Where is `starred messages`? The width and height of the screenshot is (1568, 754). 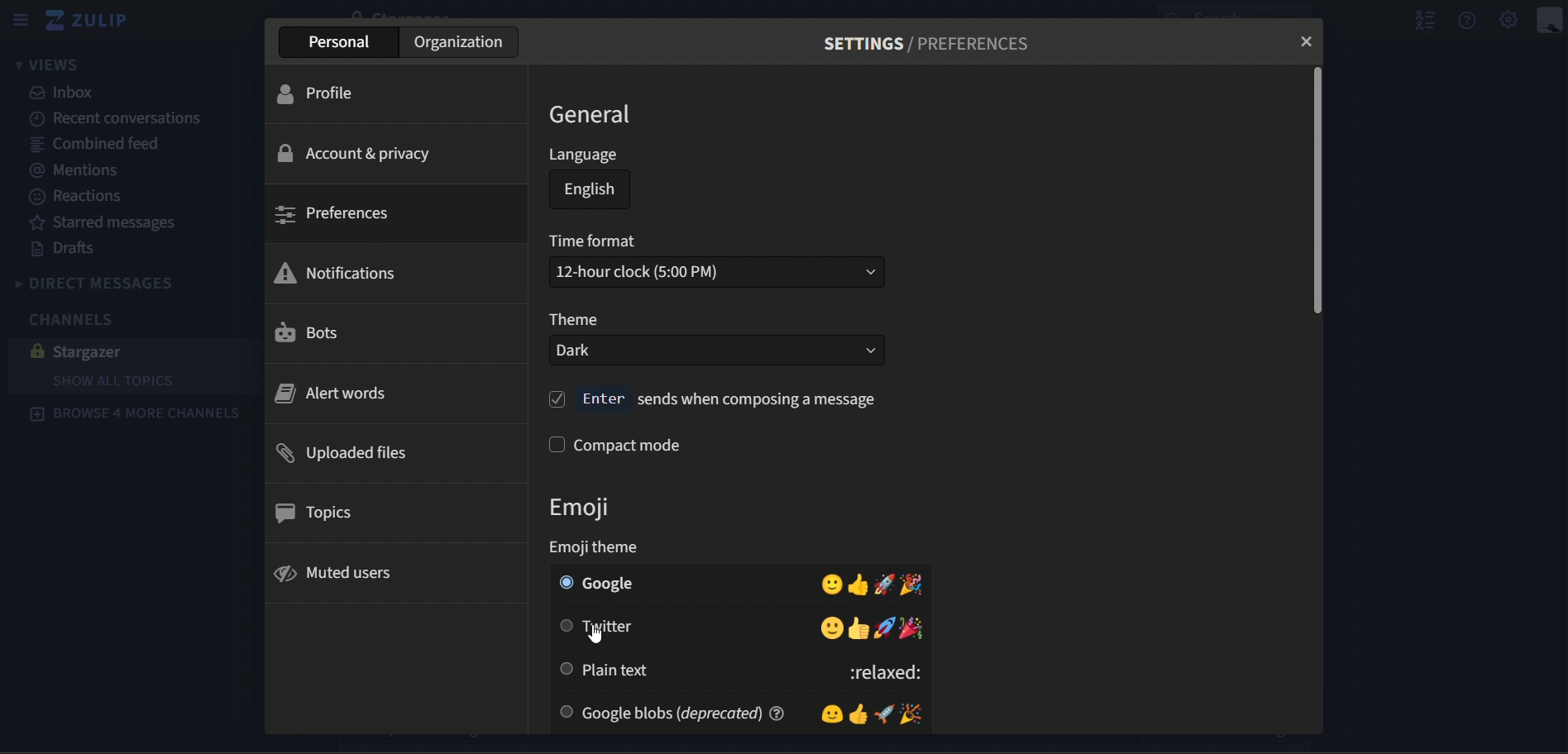 starred messages is located at coordinates (110, 222).